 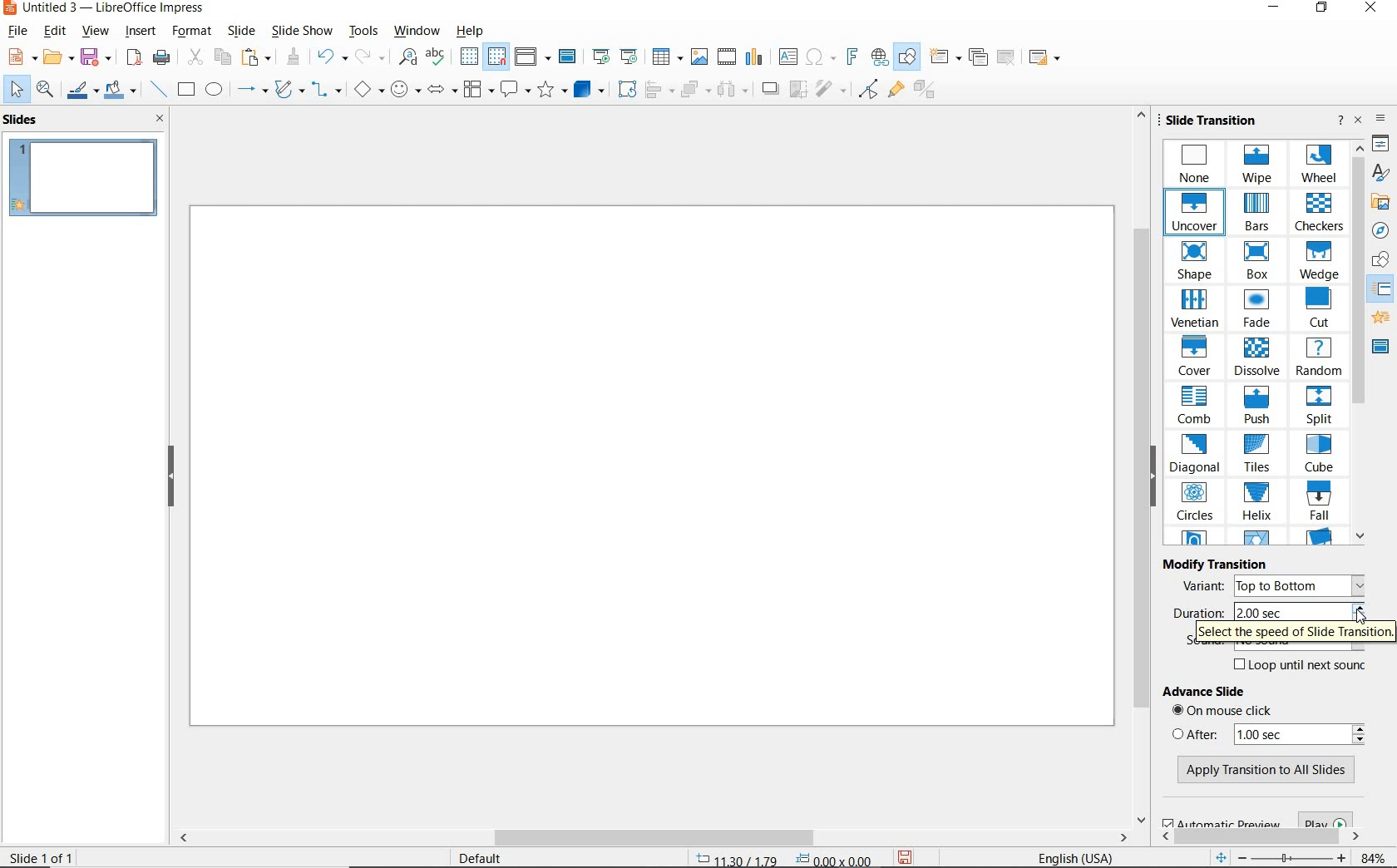 I want to click on CUT, so click(x=195, y=56).